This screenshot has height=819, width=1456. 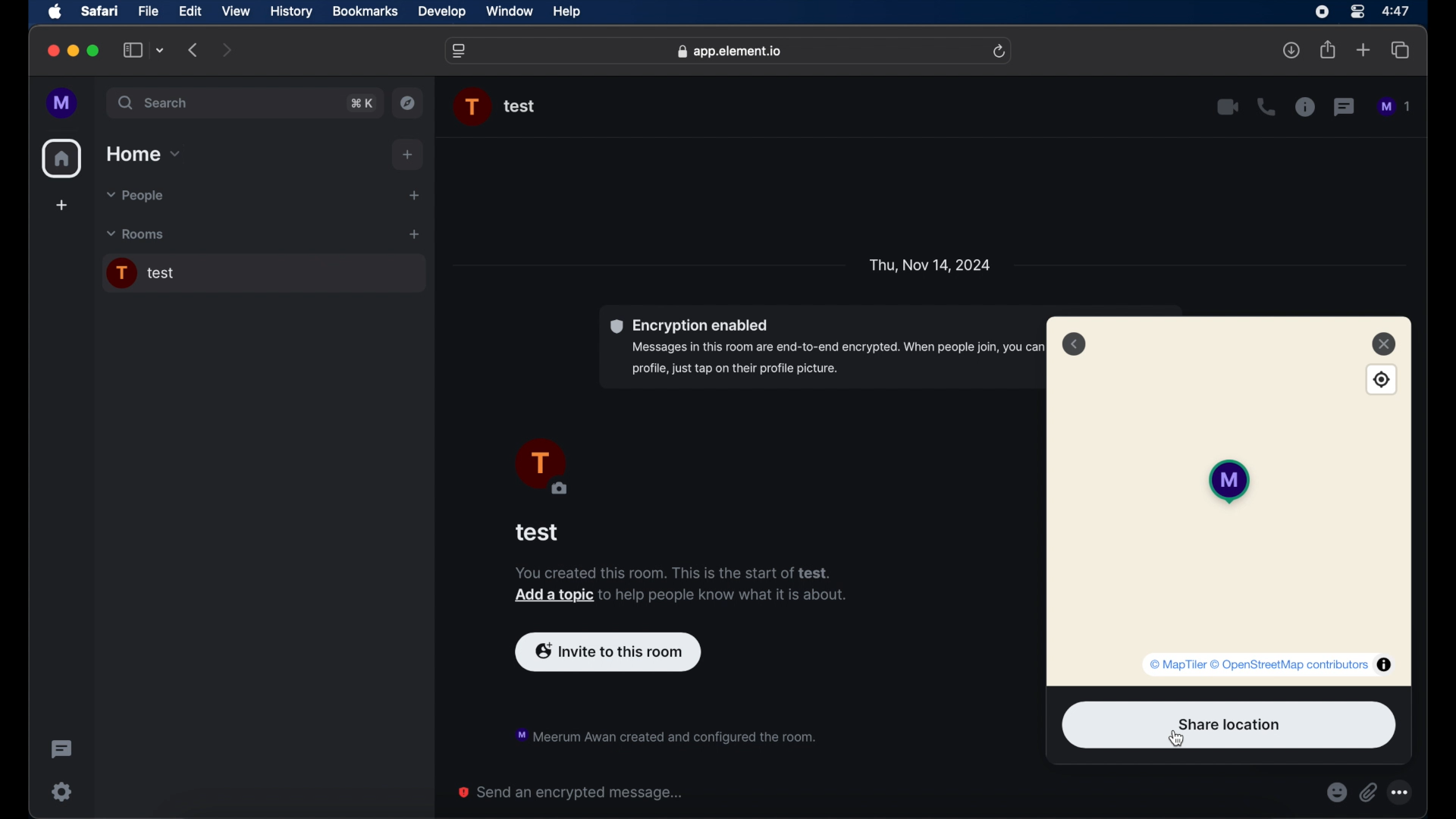 I want to click on start a new chat, so click(x=414, y=195).